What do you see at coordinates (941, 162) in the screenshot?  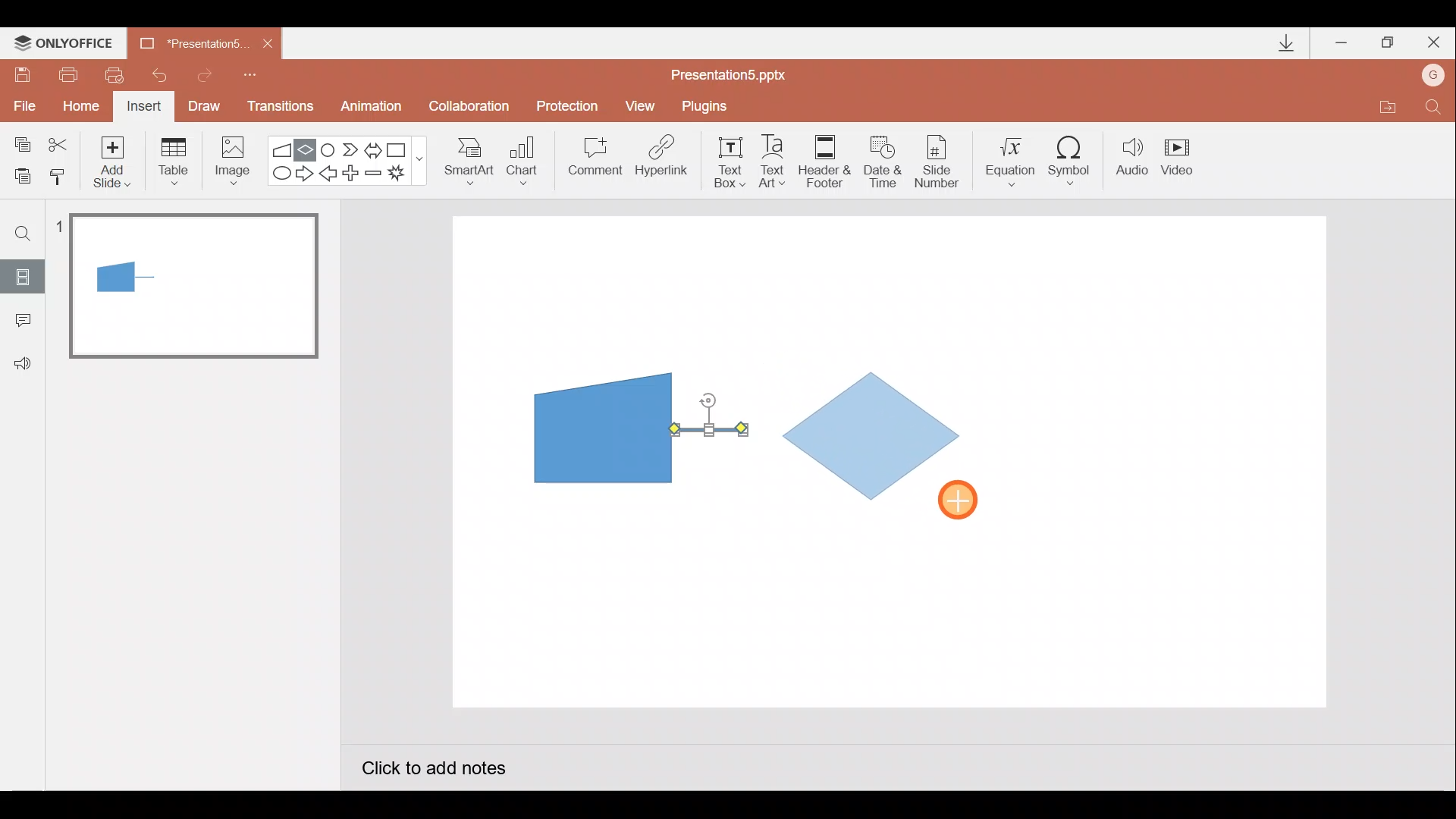 I see `Slide number` at bounding box center [941, 162].